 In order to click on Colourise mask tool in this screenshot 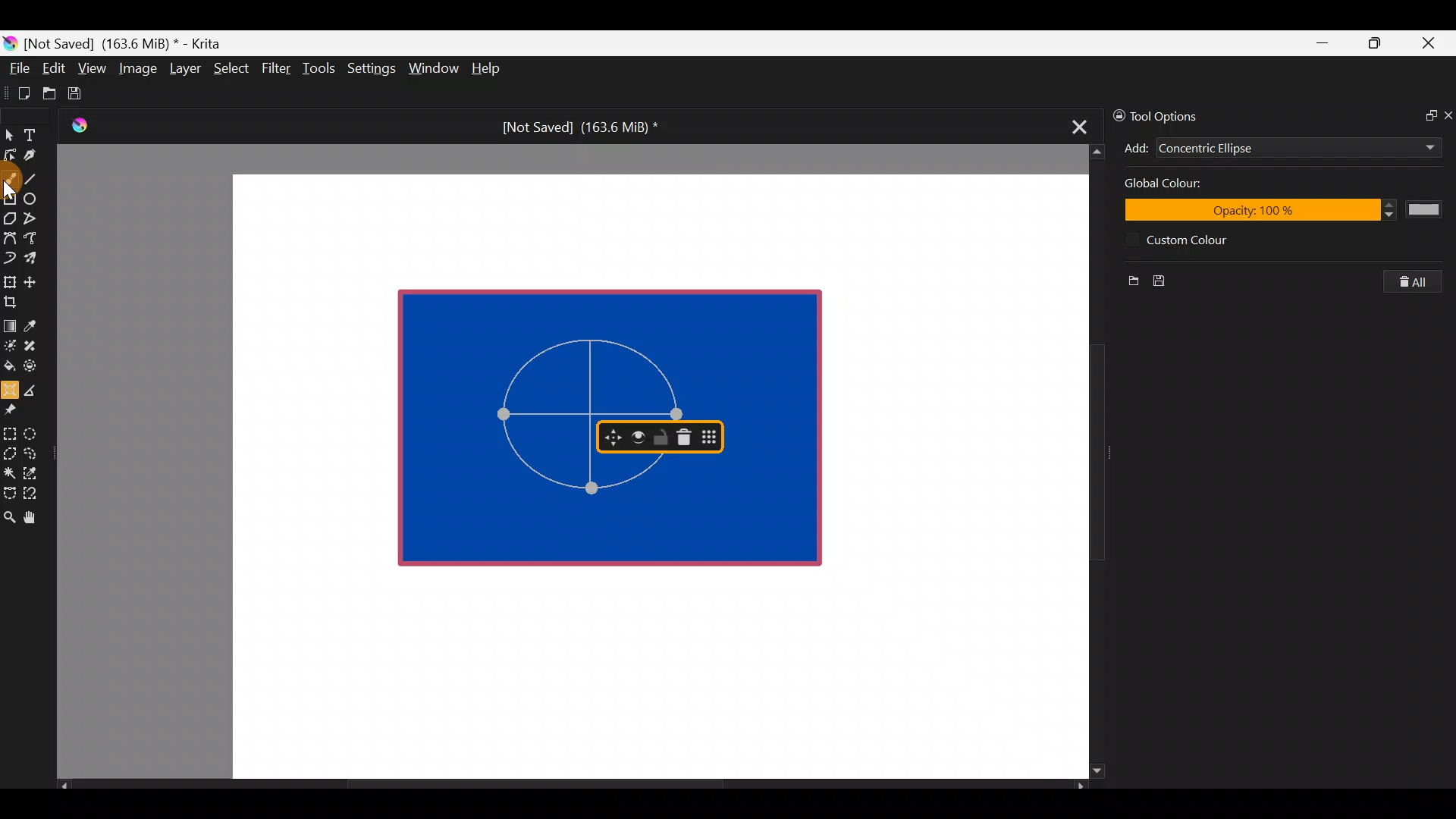, I will do `click(10, 344)`.